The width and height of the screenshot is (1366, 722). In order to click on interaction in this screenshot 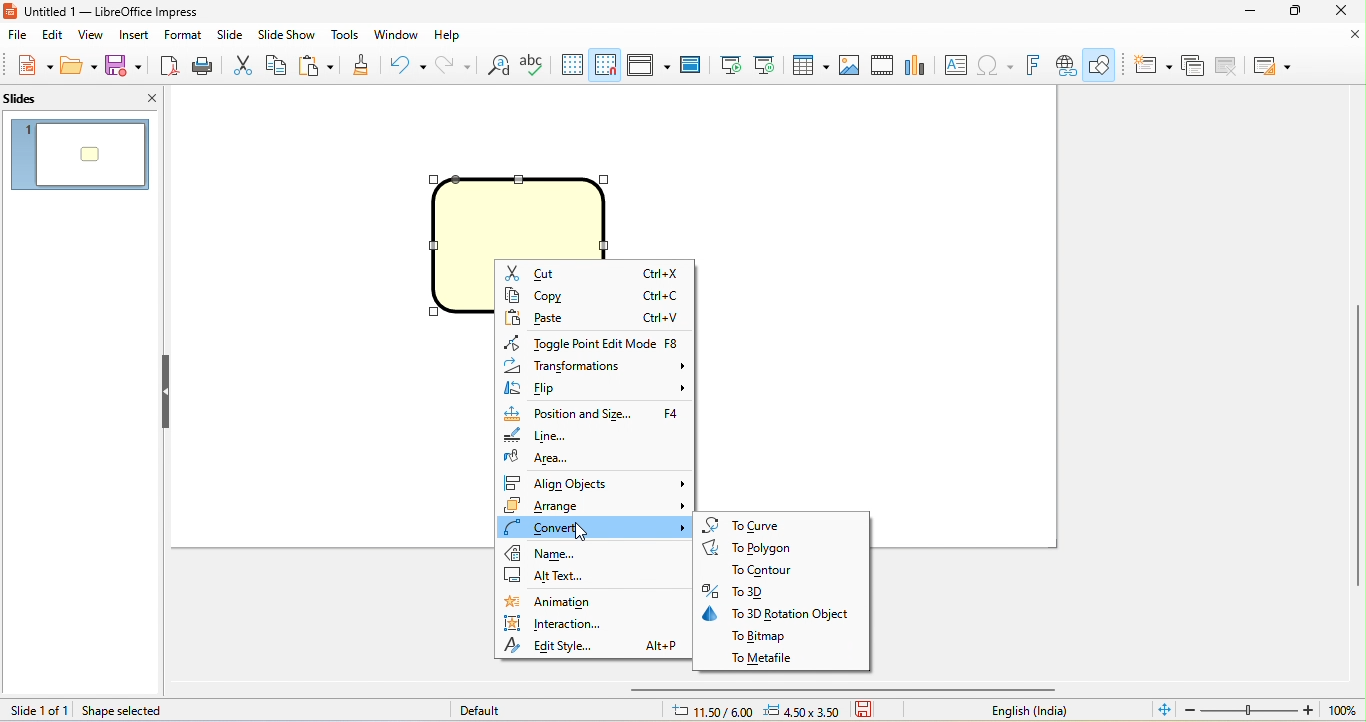, I will do `click(567, 625)`.